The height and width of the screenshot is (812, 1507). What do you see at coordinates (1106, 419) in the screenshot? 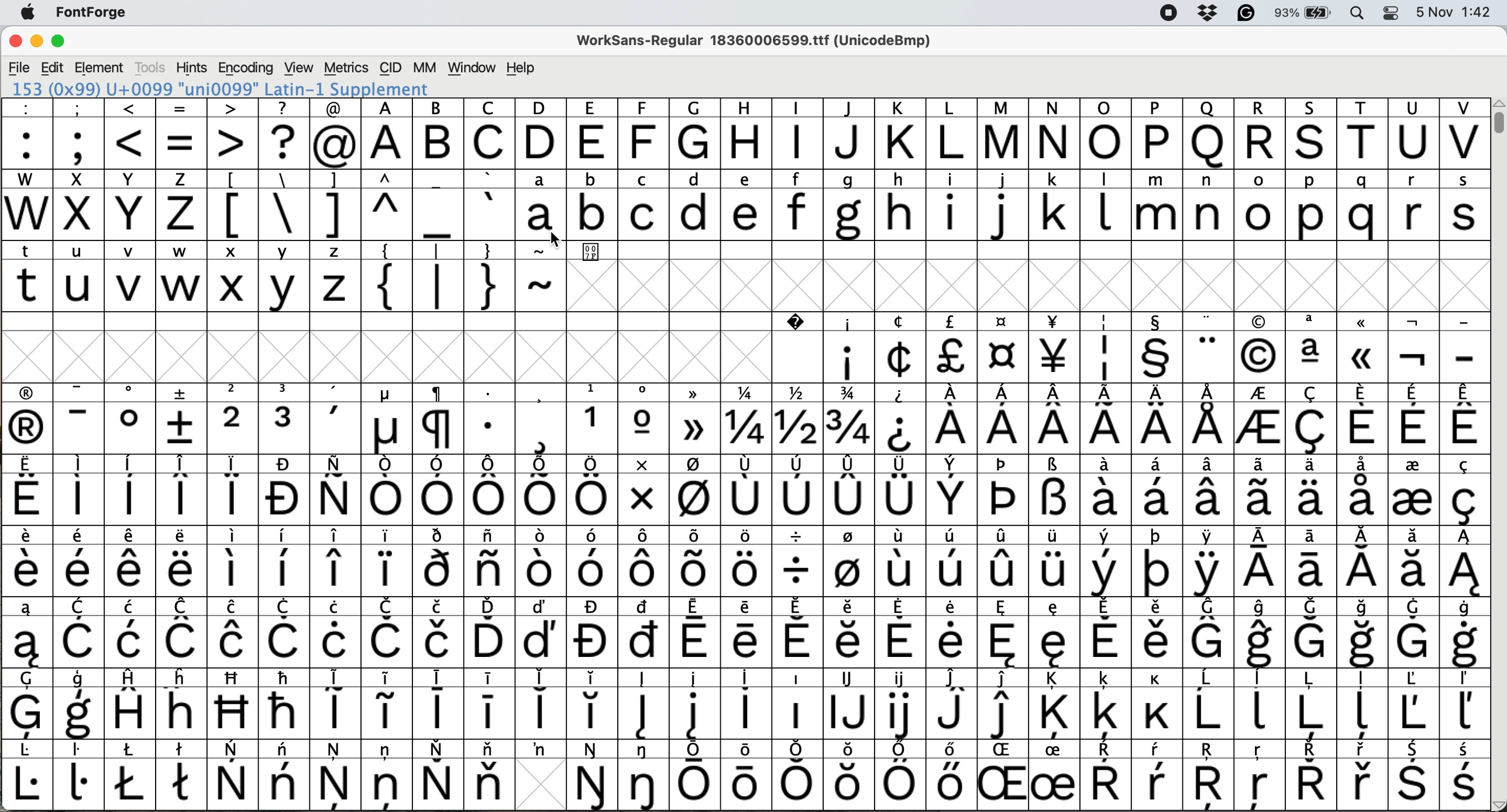
I see `symbol` at bounding box center [1106, 419].